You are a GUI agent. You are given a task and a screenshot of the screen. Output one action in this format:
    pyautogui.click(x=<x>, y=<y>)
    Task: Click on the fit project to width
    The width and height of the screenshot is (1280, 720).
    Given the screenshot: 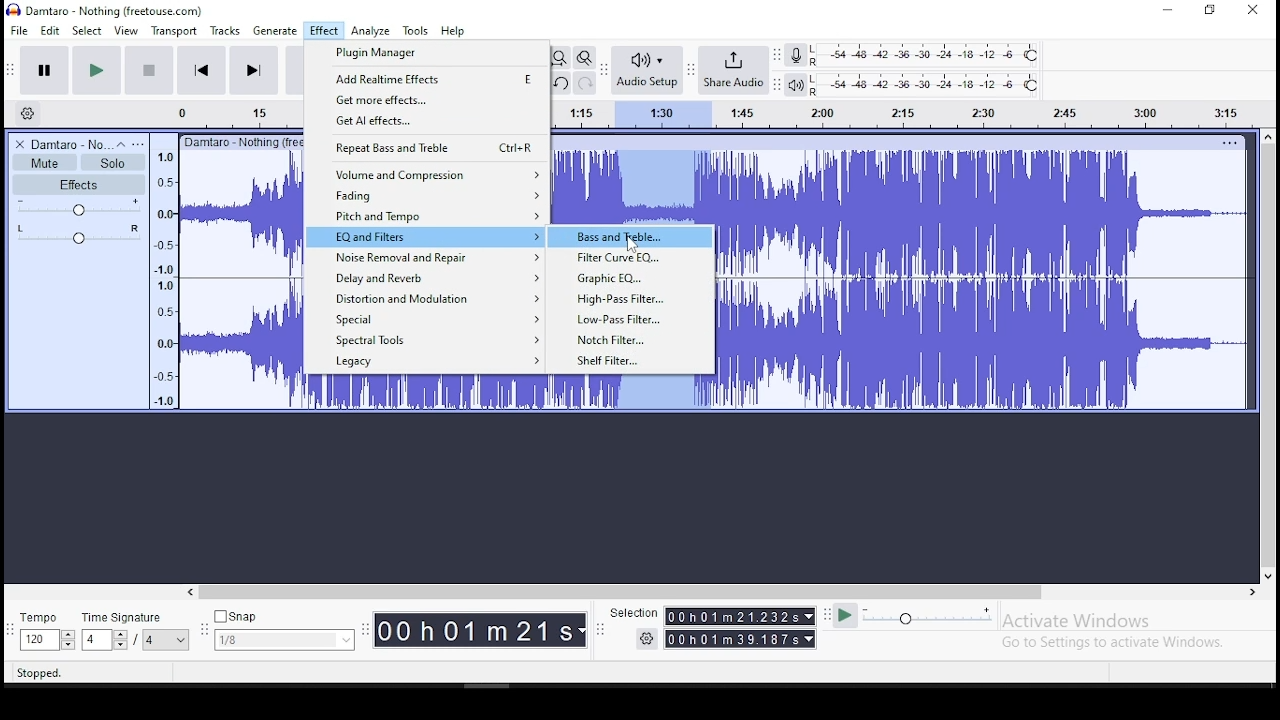 What is the action you would take?
    pyautogui.click(x=559, y=57)
    